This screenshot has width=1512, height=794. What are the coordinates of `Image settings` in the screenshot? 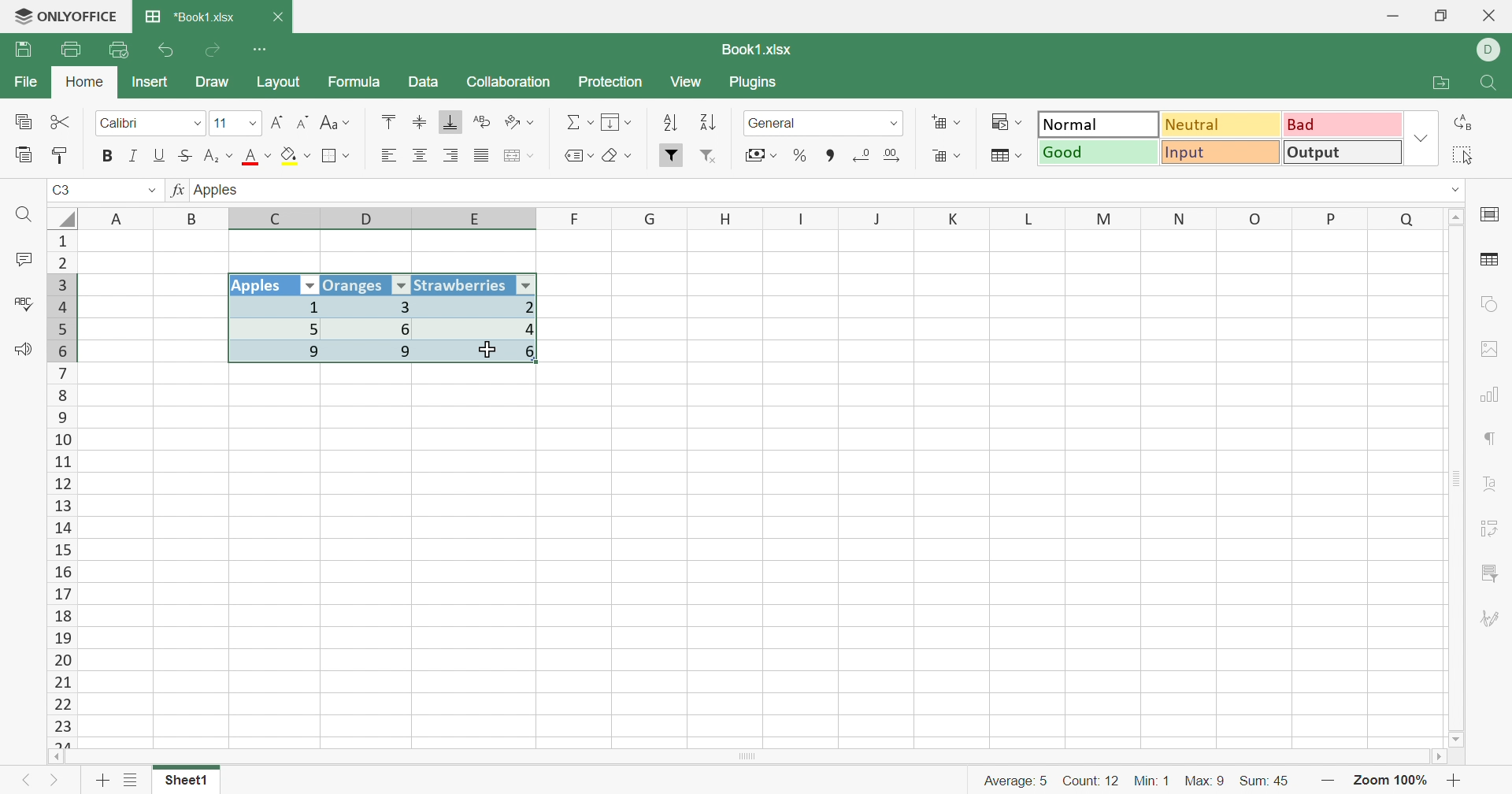 It's located at (1495, 349).